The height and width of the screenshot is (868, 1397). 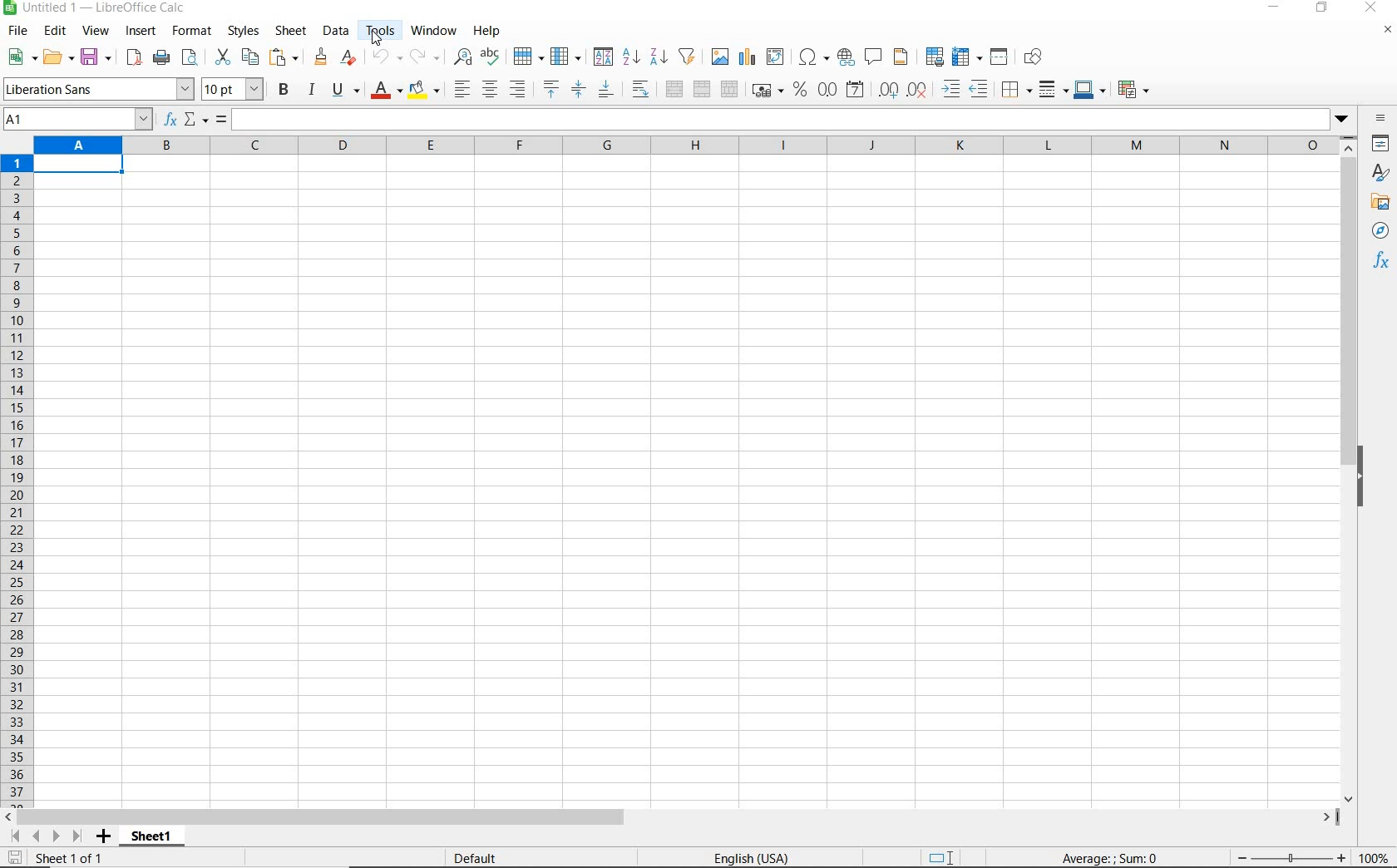 What do you see at coordinates (135, 57) in the screenshot?
I see `export as pdf` at bounding box center [135, 57].